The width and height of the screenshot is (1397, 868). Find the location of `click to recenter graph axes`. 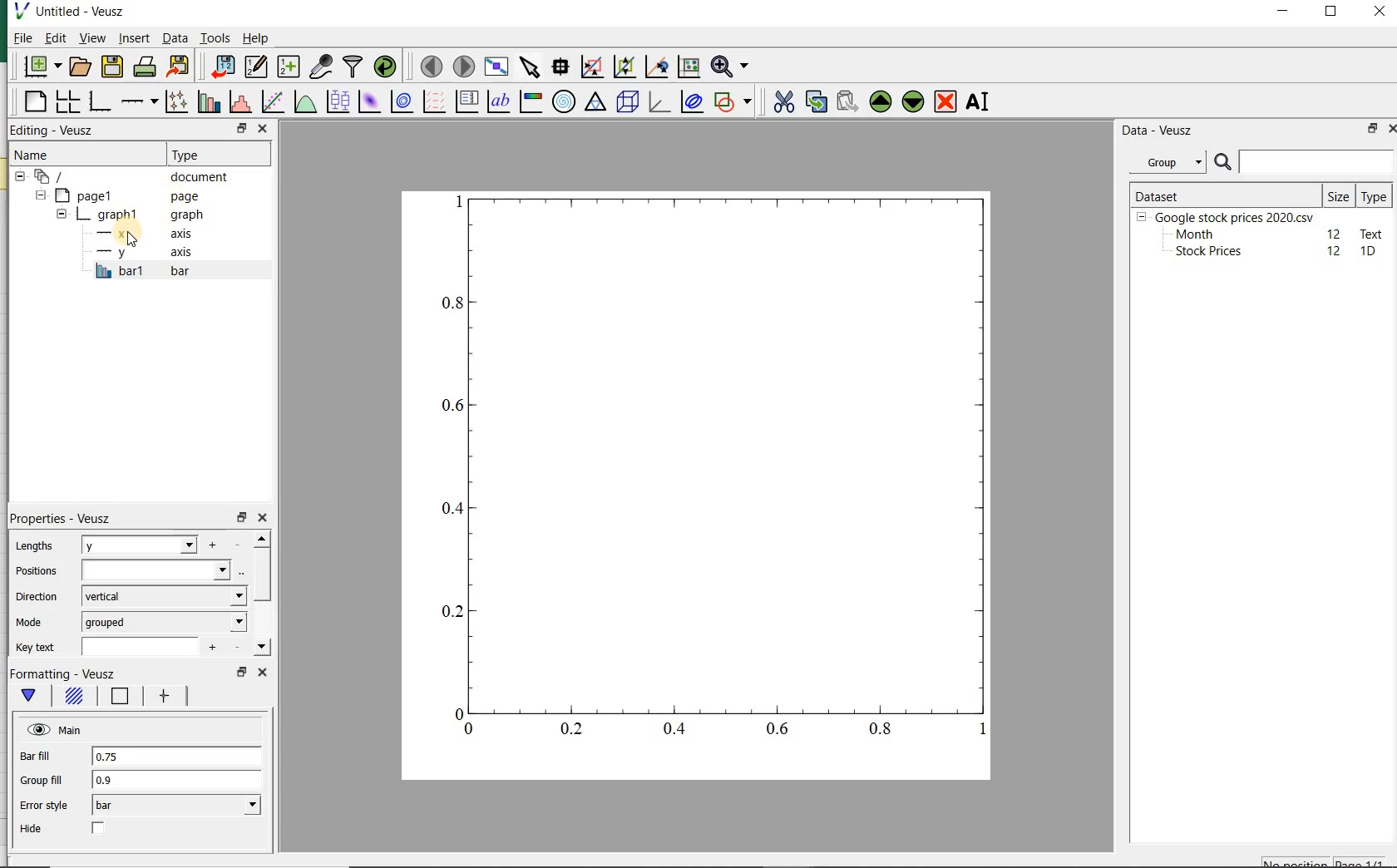

click to recenter graph axes is located at coordinates (654, 67).